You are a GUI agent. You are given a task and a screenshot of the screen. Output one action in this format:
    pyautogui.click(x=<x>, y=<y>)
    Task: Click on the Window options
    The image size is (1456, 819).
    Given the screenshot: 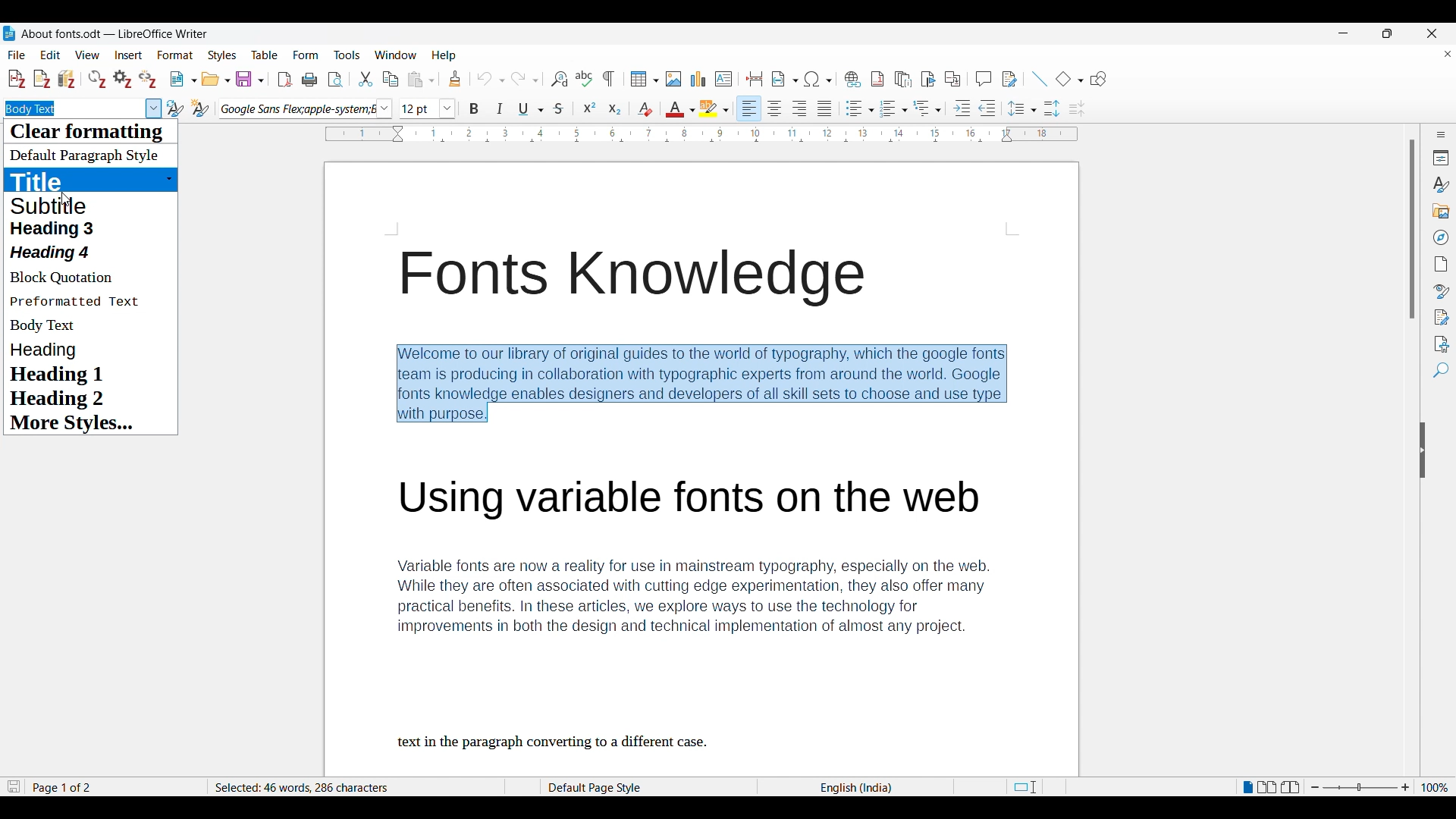 What is the action you would take?
    pyautogui.click(x=396, y=55)
    